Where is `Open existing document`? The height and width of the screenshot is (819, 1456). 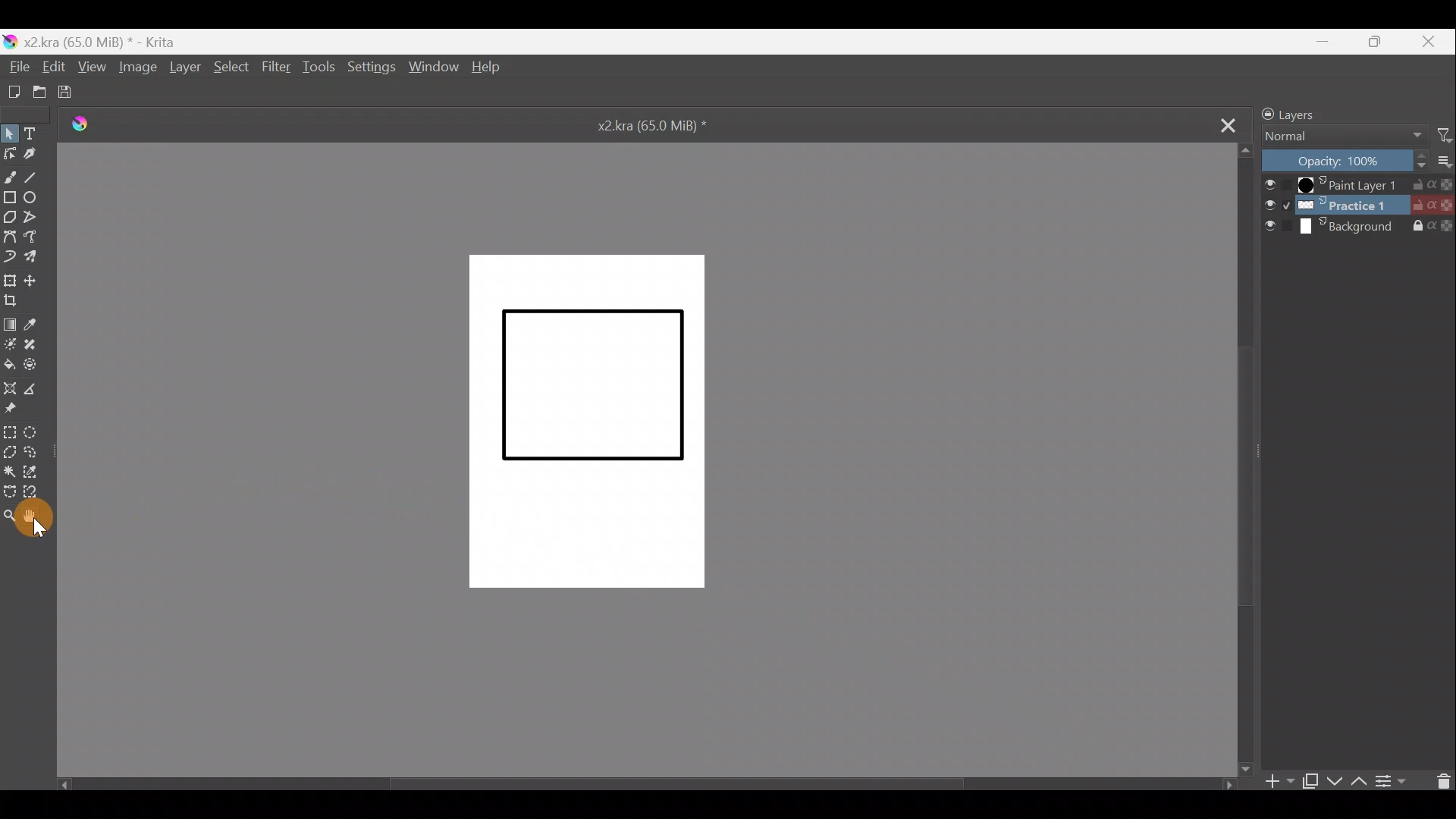
Open existing document is located at coordinates (40, 93).